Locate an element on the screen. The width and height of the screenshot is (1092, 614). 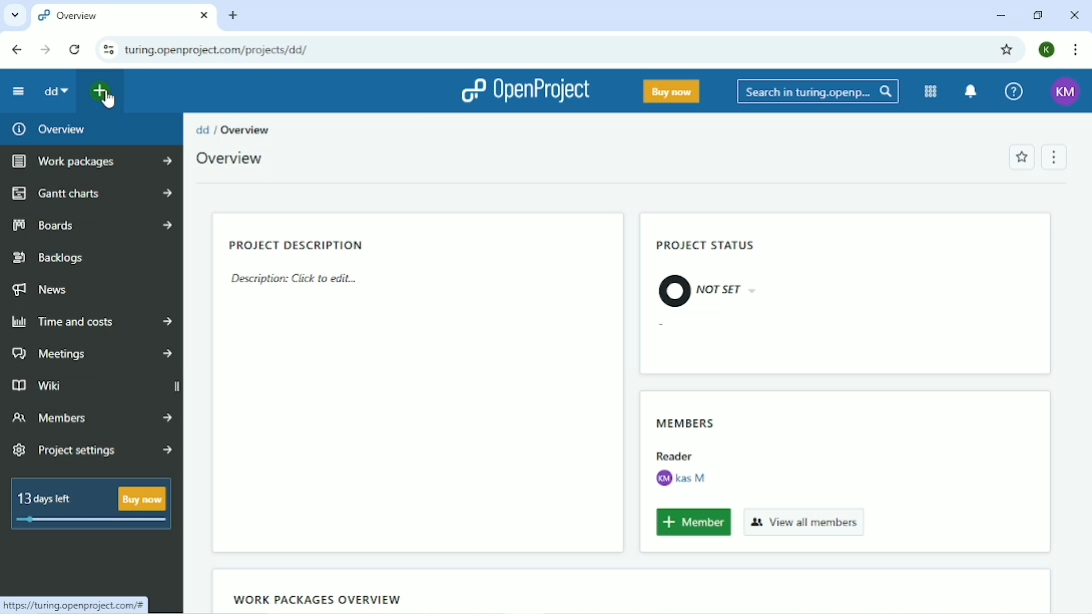
OpenProject is located at coordinates (527, 91).